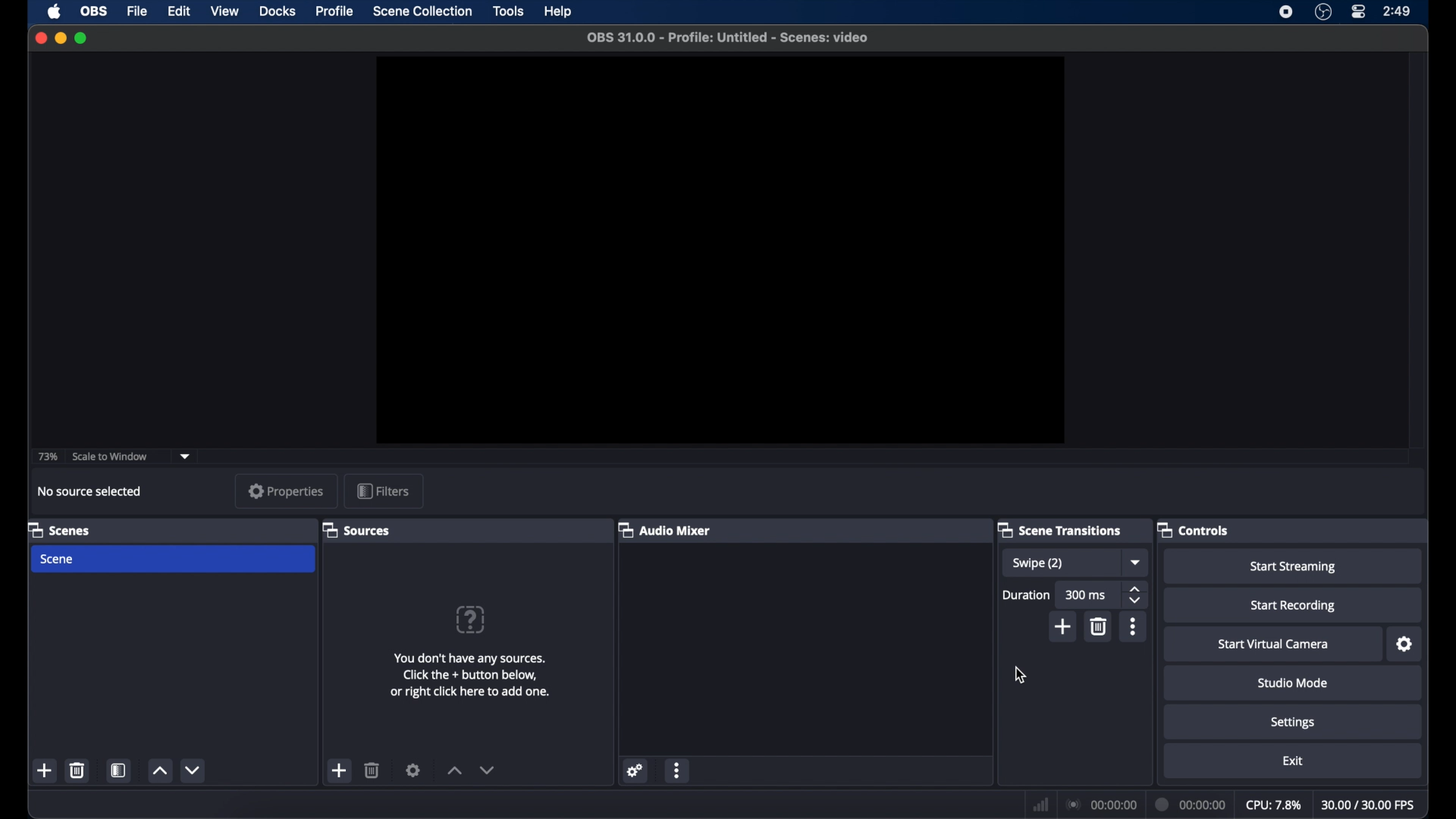 This screenshot has width=1456, height=819. I want to click on start recording, so click(1293, 606).